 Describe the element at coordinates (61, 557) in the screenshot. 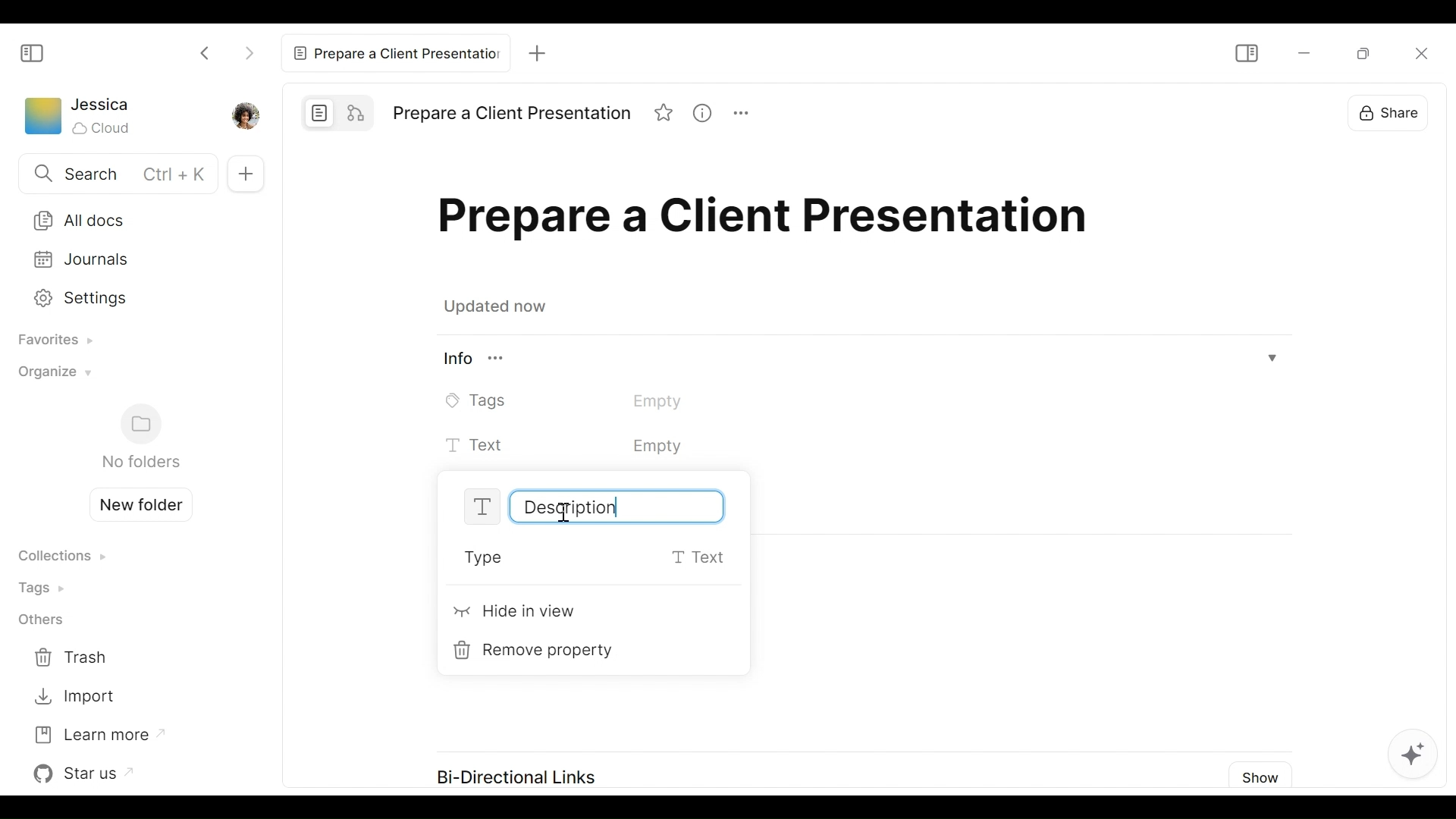

I see `Collections` at that location.